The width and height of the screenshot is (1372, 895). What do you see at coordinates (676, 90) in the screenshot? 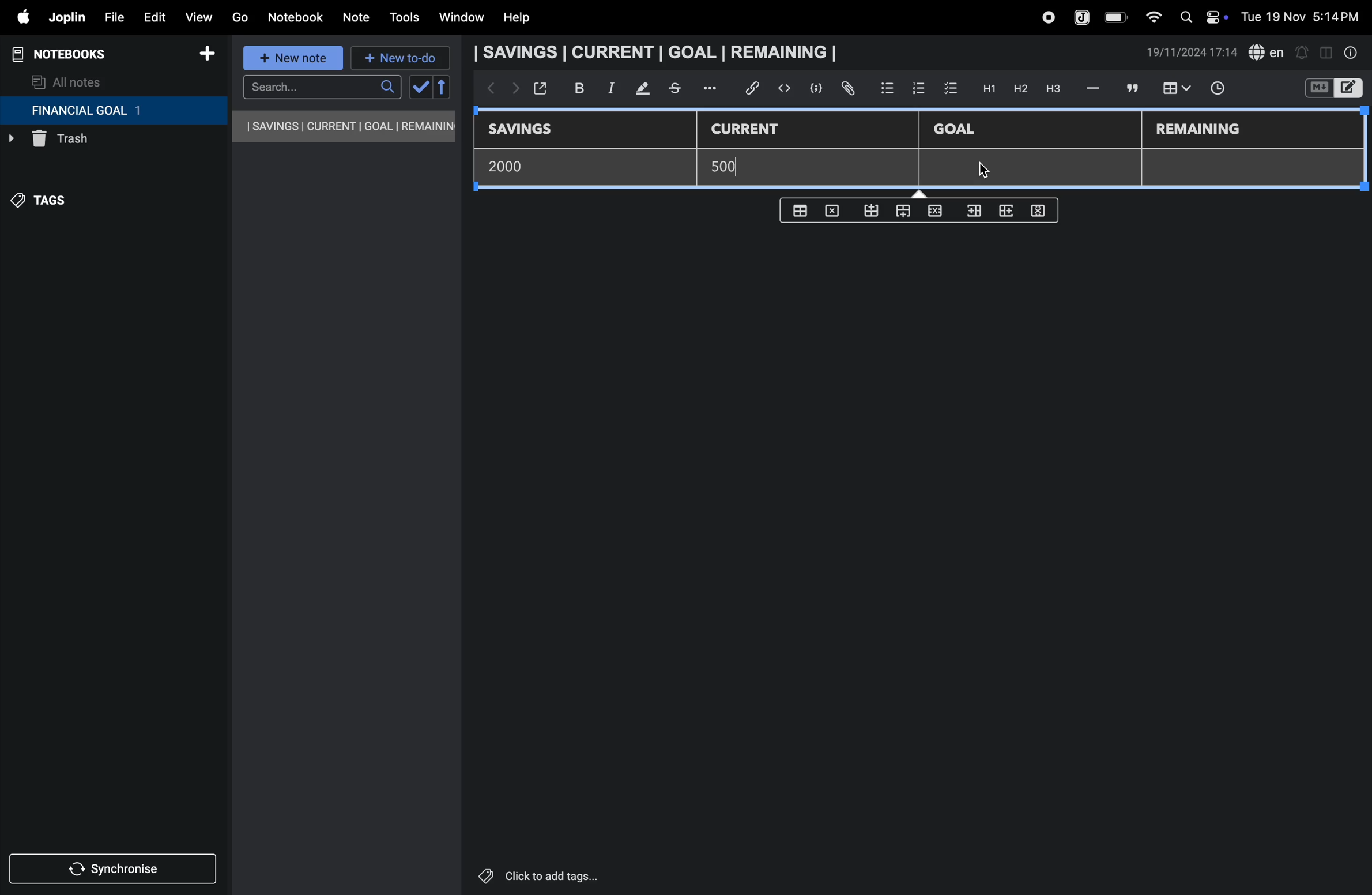
I see `stketchbook` at bounding box center [676, 90].